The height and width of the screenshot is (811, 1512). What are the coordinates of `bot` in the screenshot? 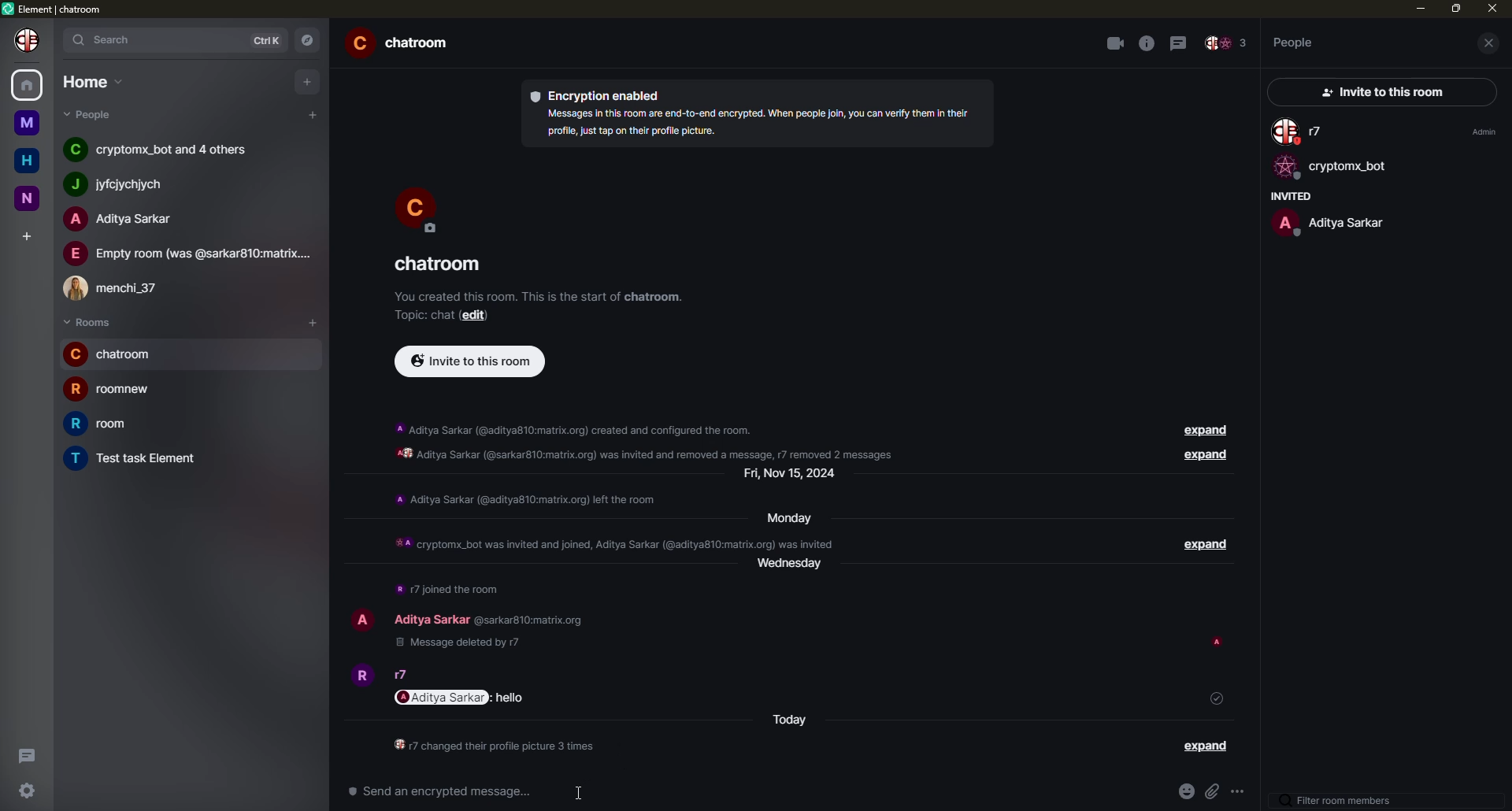 It's located at (1330, 168).